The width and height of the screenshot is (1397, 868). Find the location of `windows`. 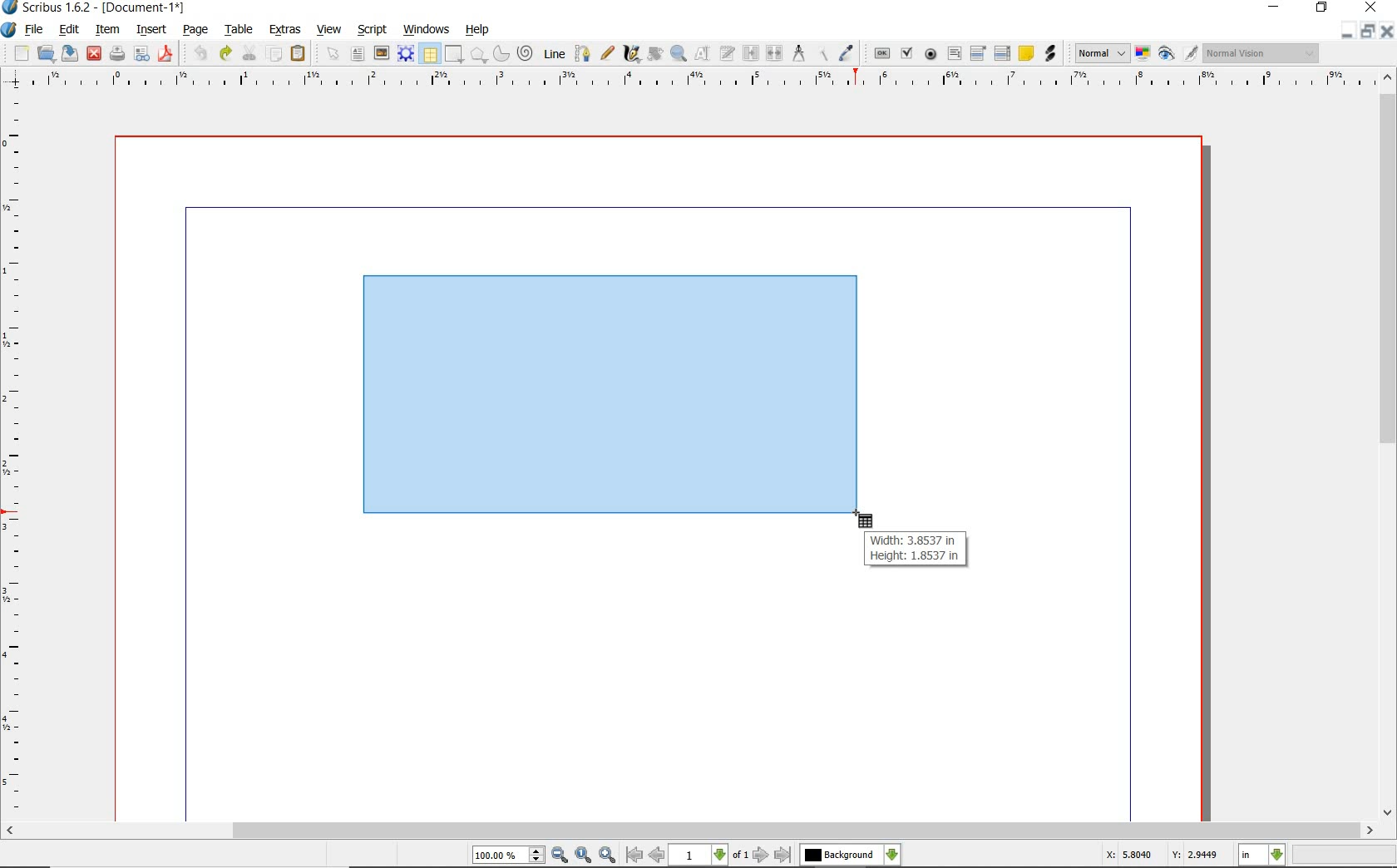

windows is located at coordinates (426, 30).